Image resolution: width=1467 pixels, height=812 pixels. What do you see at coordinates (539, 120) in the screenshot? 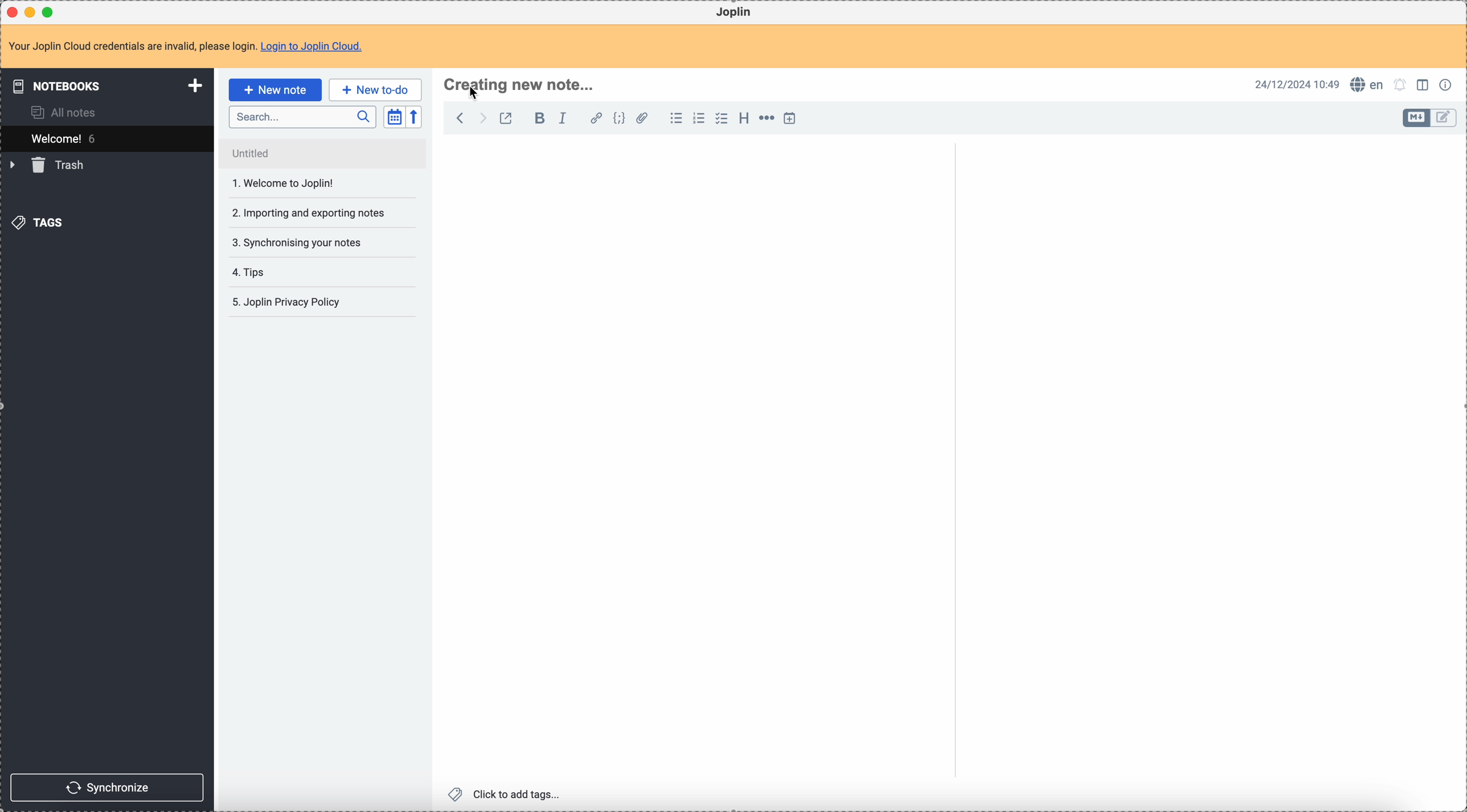
I see `bold` at bounding box center [539, 120].